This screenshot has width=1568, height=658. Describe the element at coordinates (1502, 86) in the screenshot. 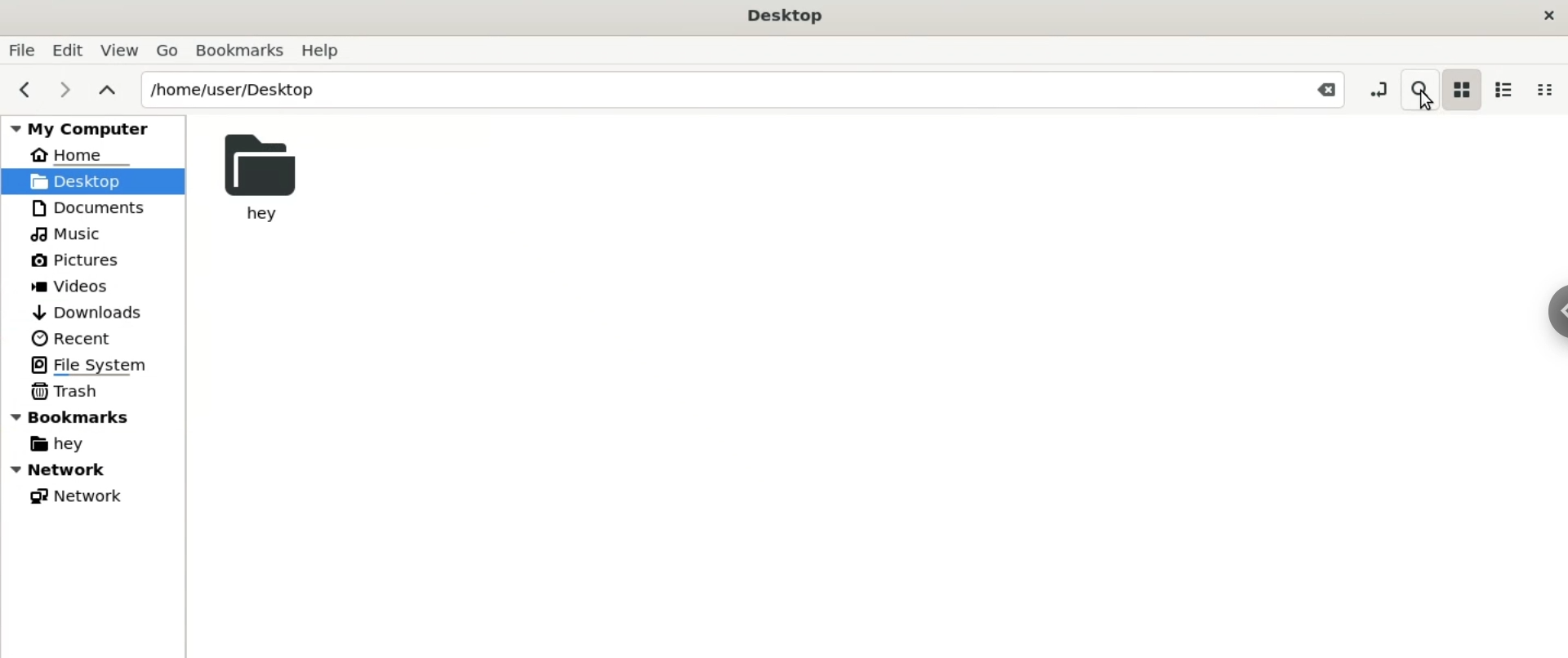

I see `list view` at that location.